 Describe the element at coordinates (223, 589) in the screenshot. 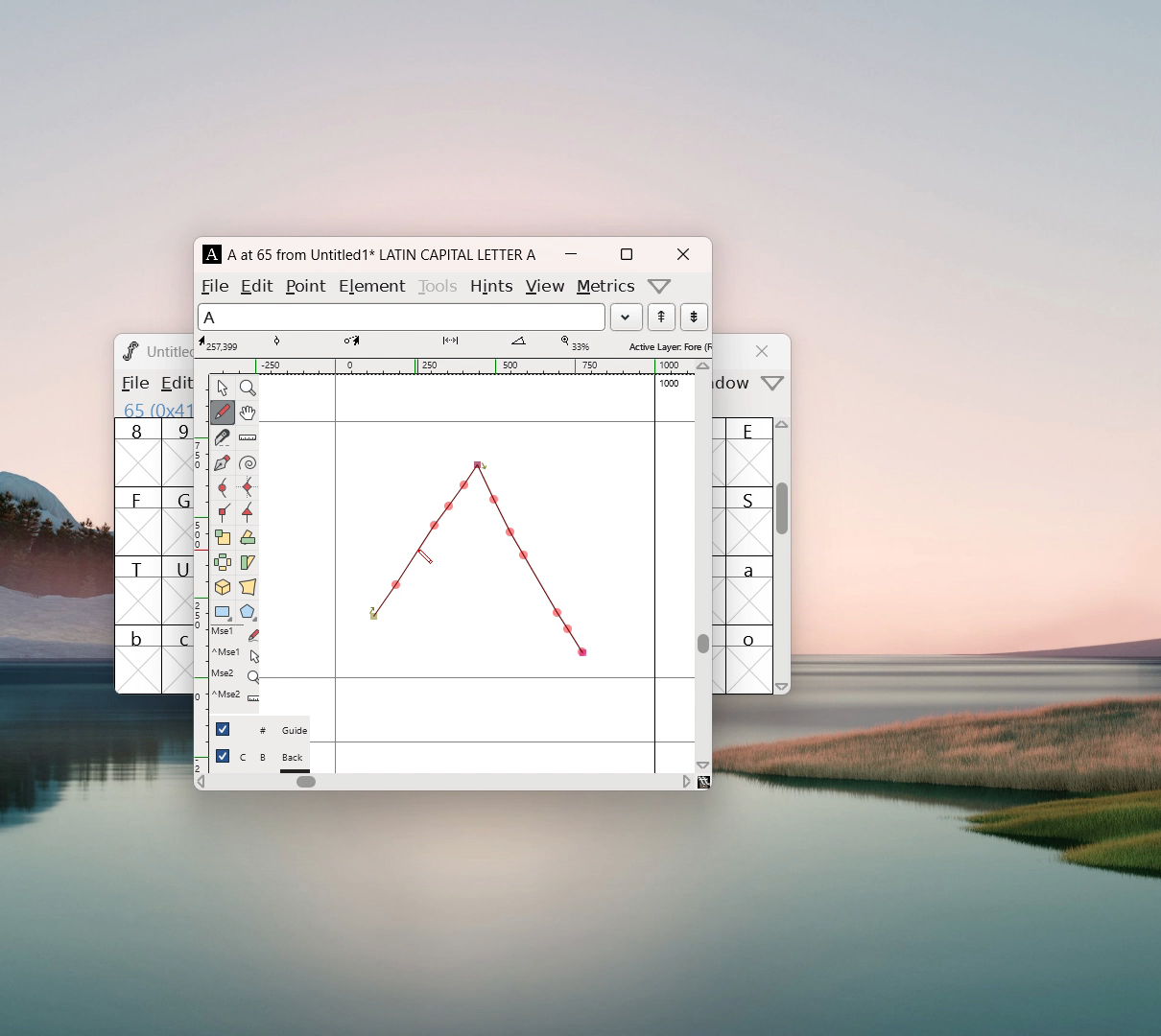

I see `rotate the selection to 3D and project back to plane` at that location.